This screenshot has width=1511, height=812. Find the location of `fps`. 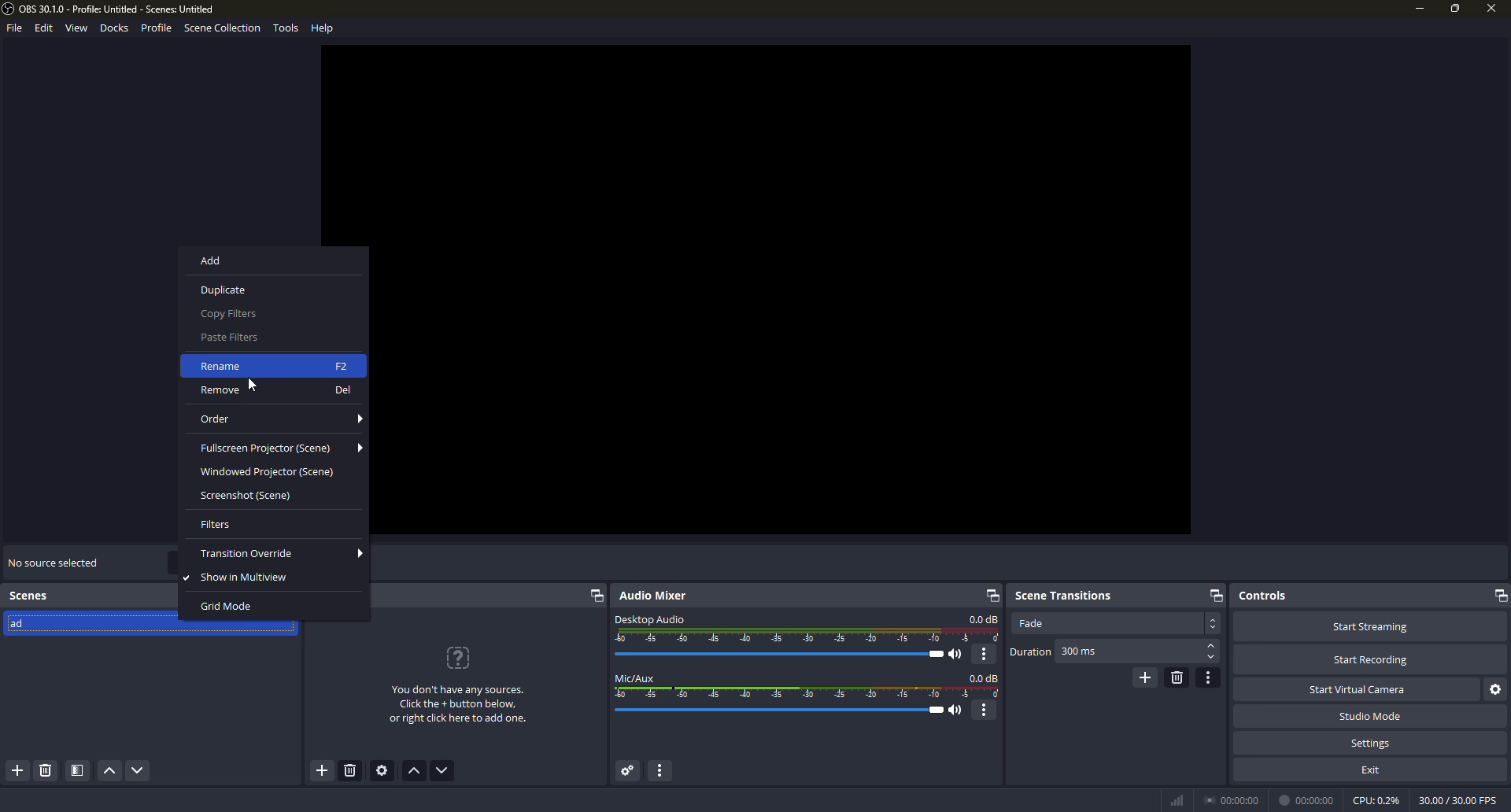

fps is located at coordinates (1456, 799).